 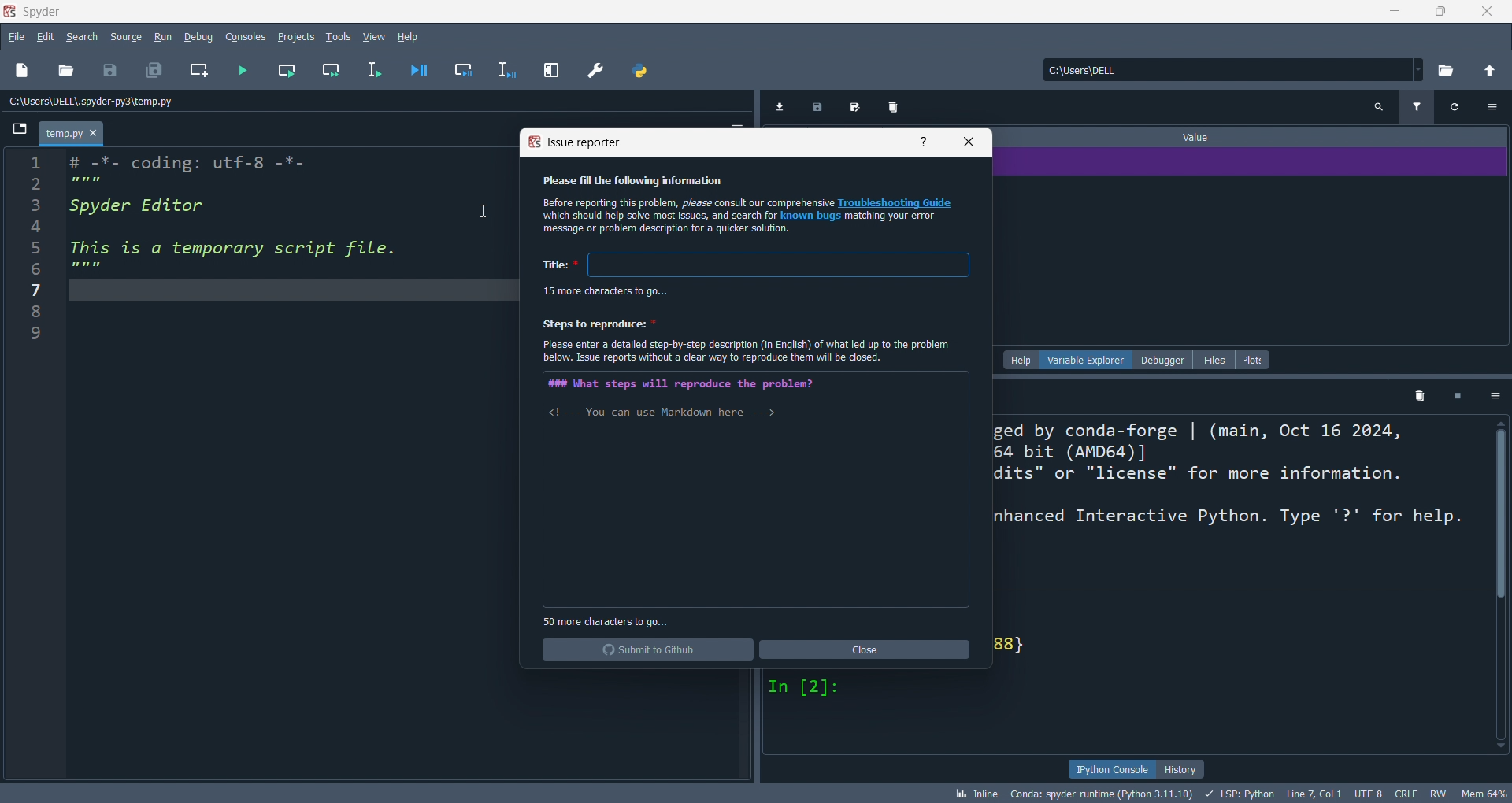 I want to click on save all, so click(x=156, y=73).